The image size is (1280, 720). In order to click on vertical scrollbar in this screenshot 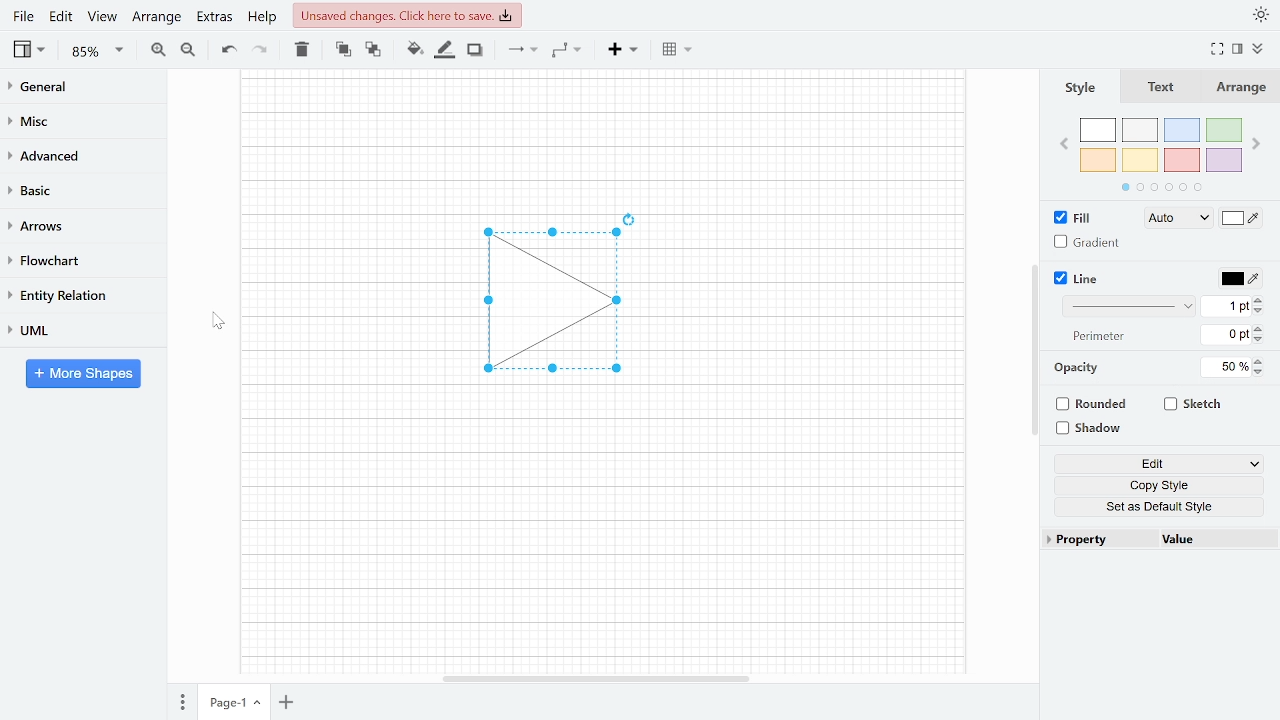, I will do `click(1034, 350)`.